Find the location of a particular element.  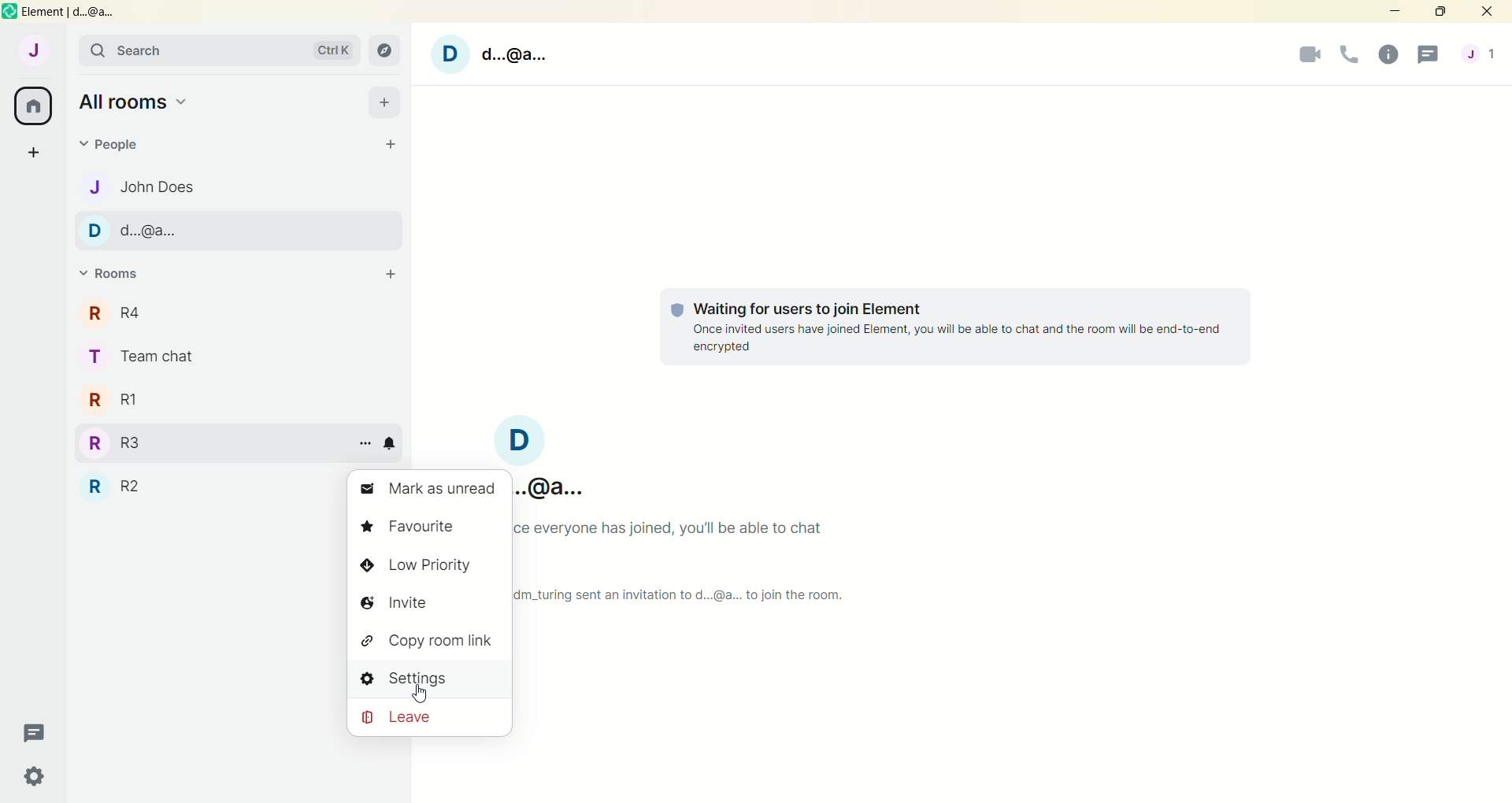

d...@... is located at coordinates (238, 231).